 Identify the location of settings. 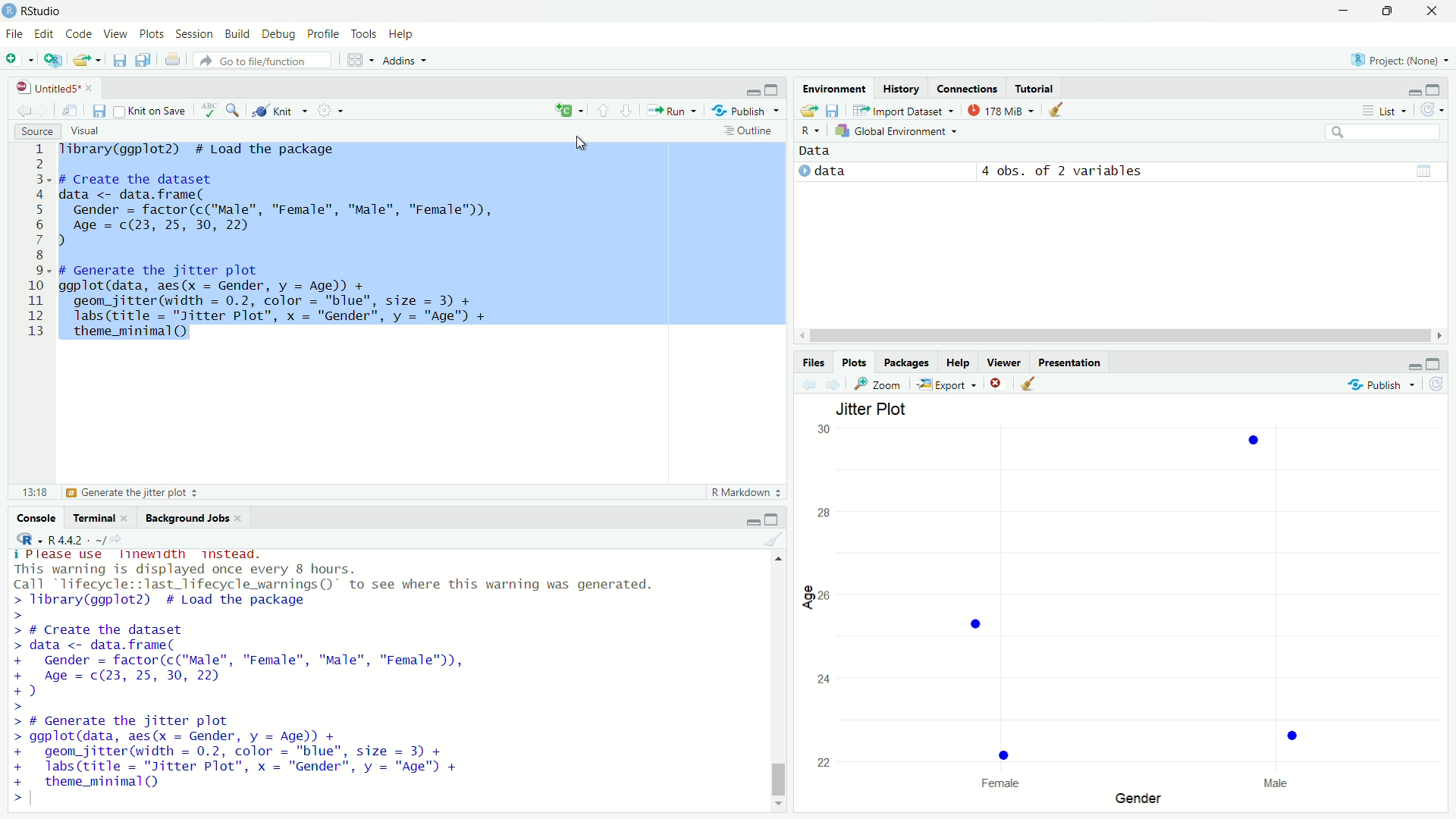
(332, 111).